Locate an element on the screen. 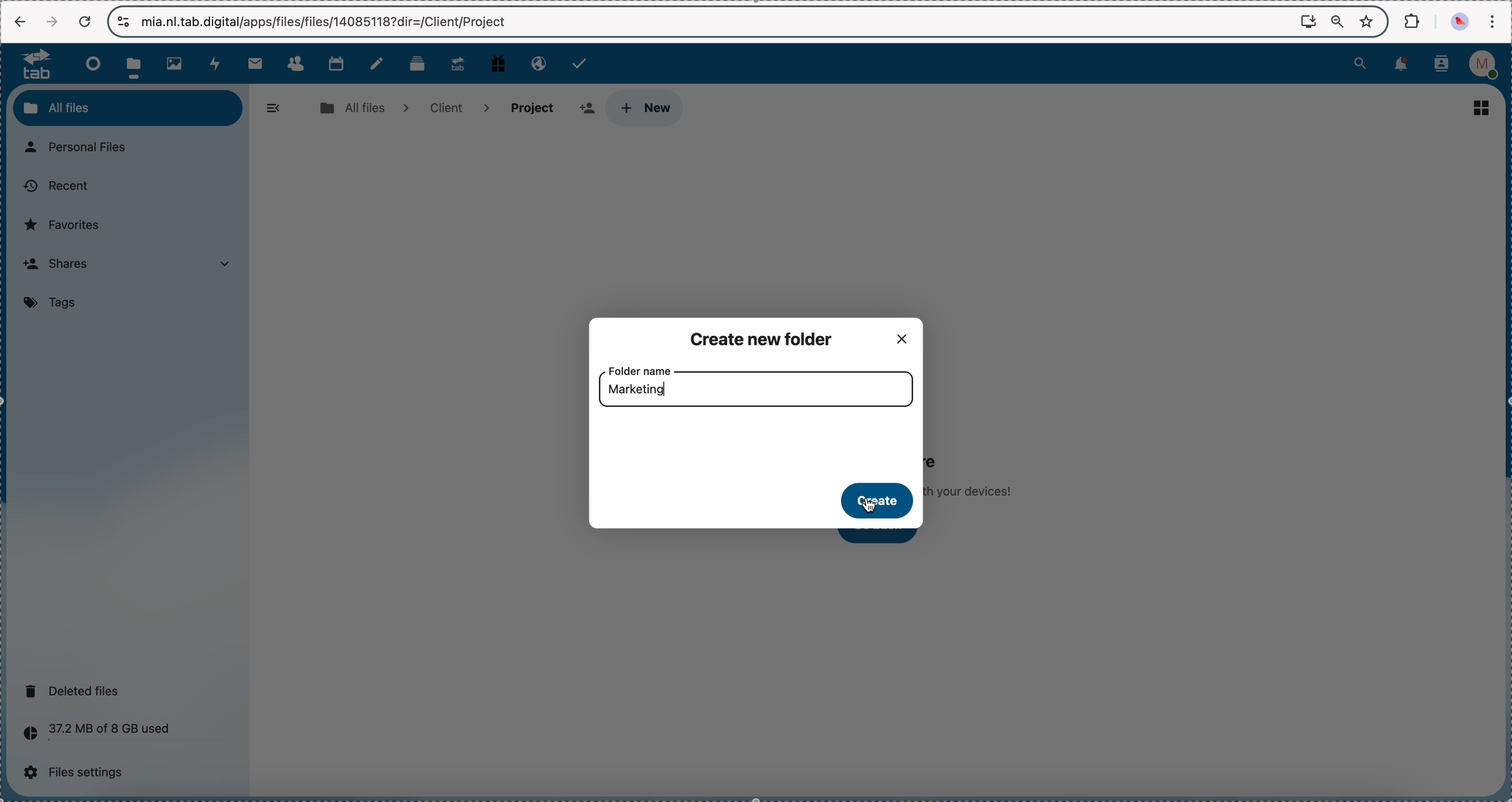  notes is located at coordinates (379, 64).